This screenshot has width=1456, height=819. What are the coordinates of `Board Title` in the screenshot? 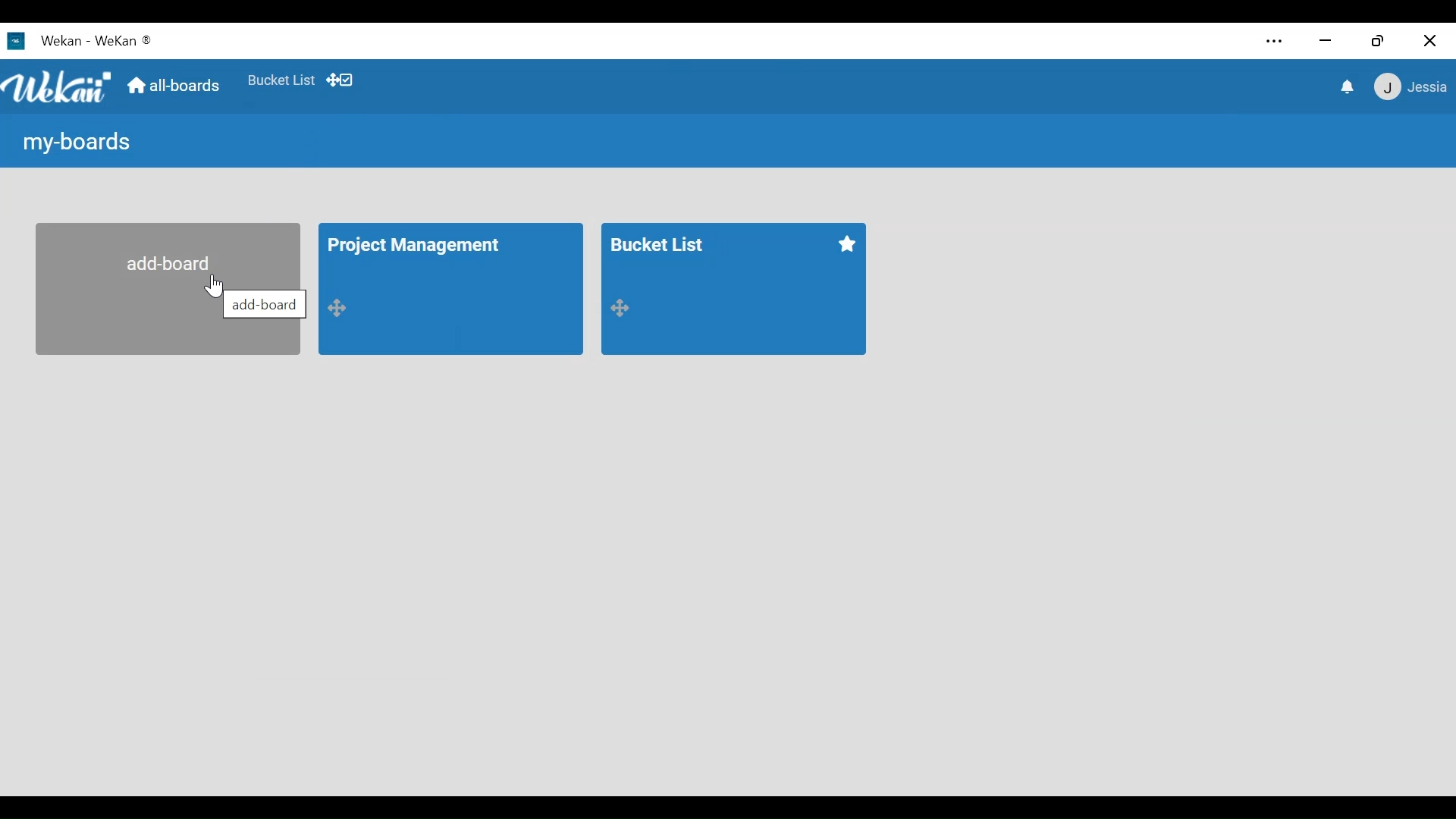 It's located at (661, 243).